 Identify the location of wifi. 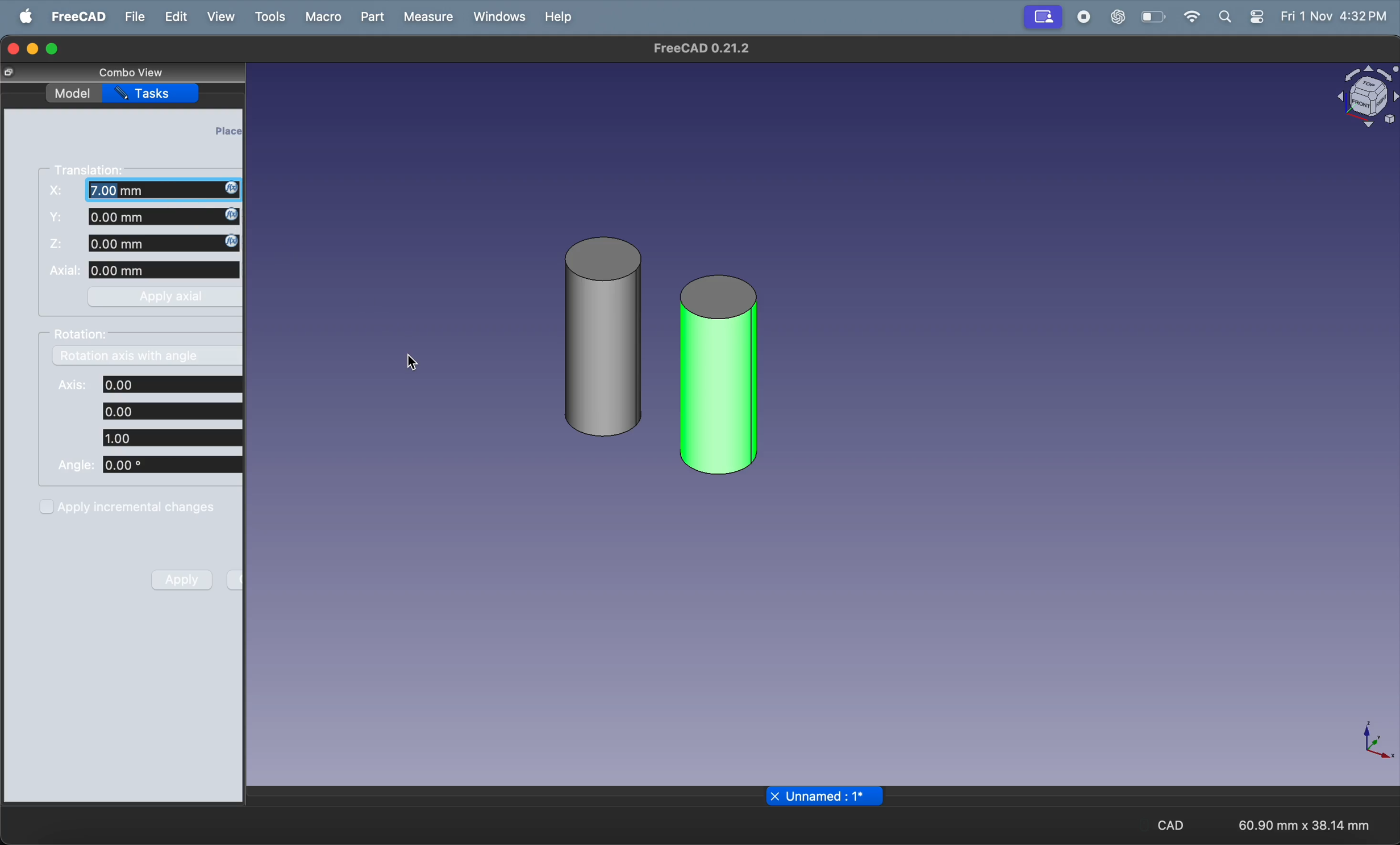
(1191, 16).